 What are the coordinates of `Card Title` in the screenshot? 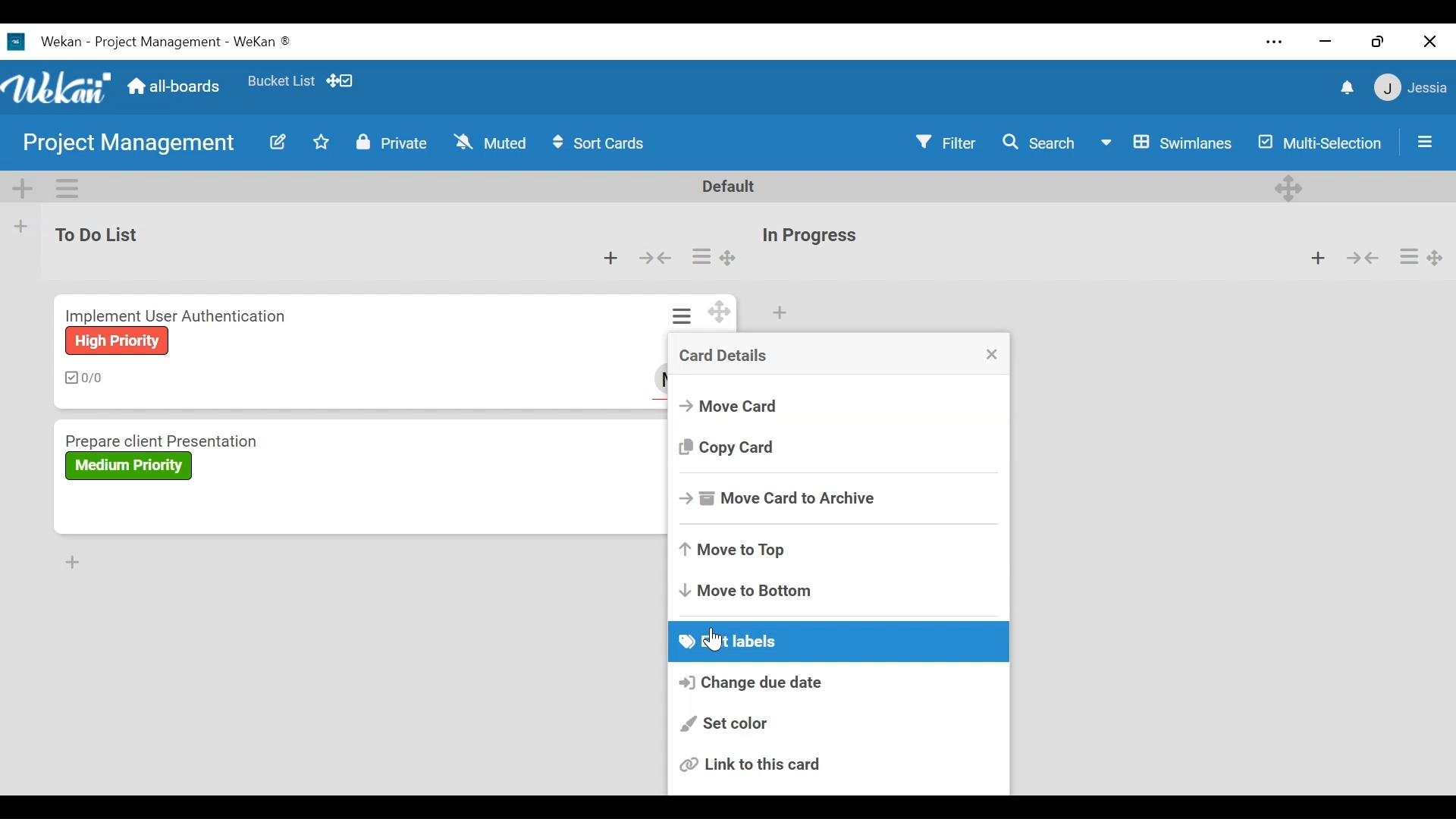 It's located at (180, 313).